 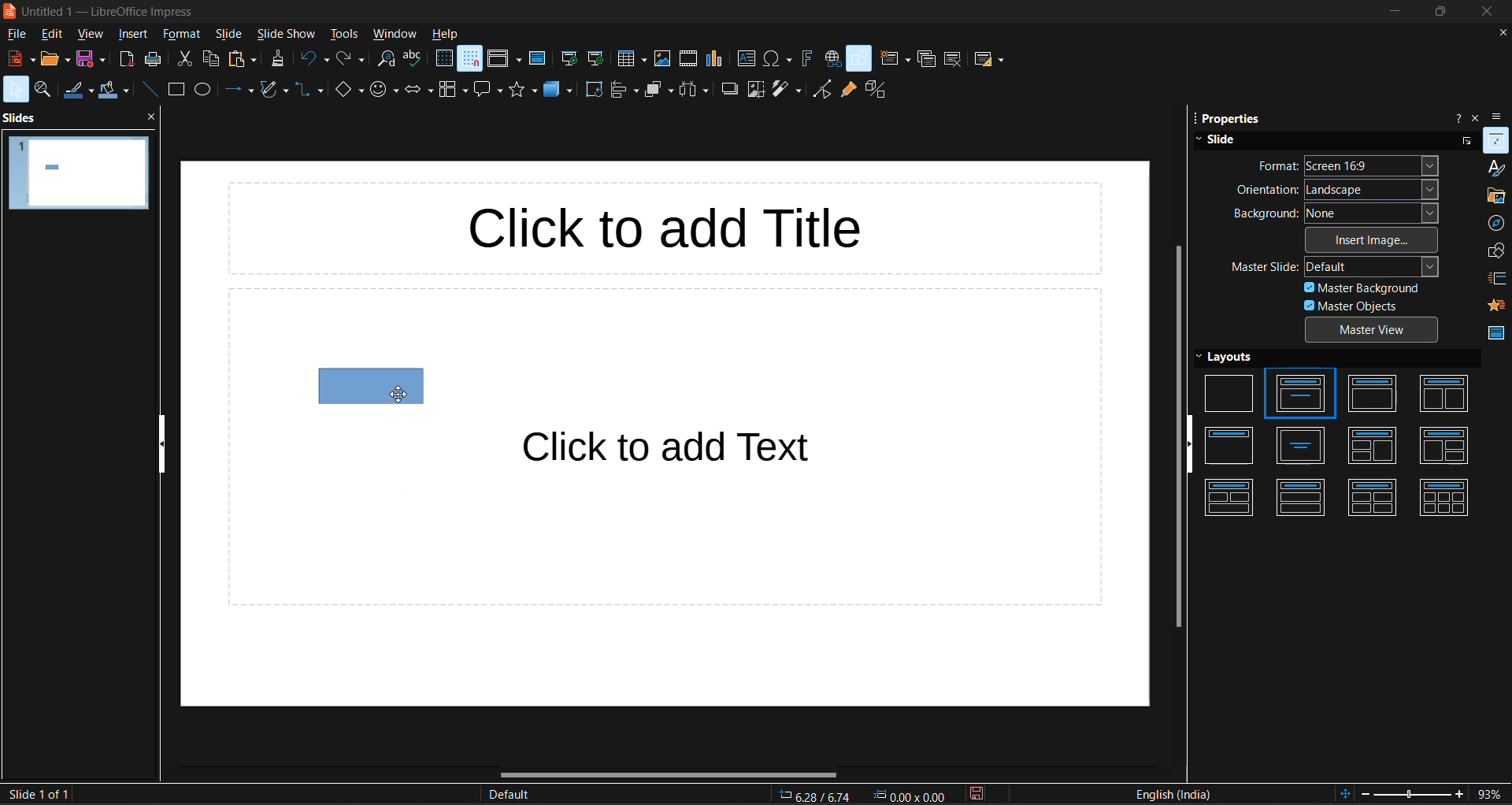 I want to click on display viewss, so click(x=505, y=58).